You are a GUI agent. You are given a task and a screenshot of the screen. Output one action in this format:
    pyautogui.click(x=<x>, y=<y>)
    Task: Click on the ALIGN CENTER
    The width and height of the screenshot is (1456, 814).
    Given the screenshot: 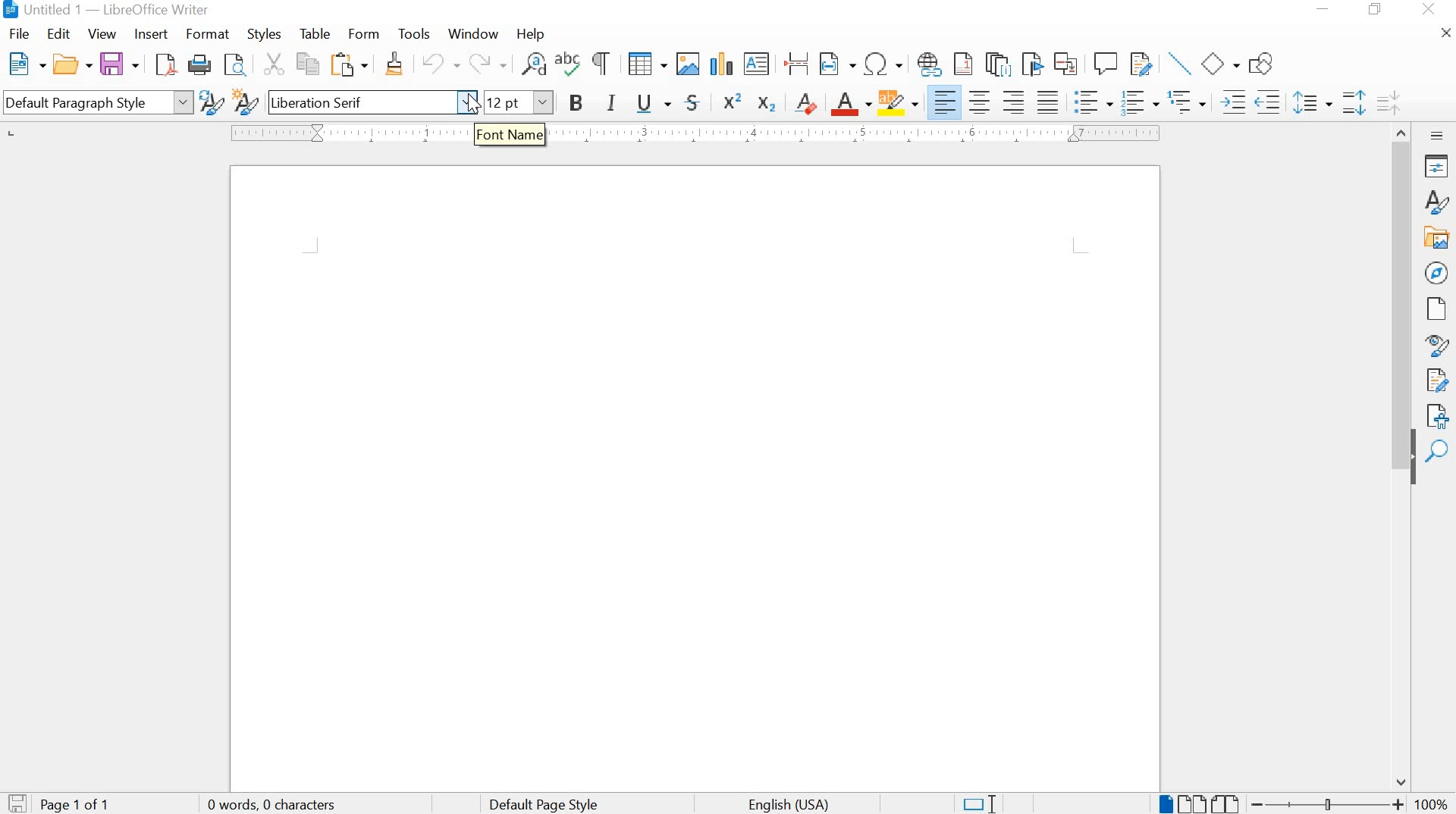 What is the action you would take?
    pyautogui.click(x=982, y=99)
    